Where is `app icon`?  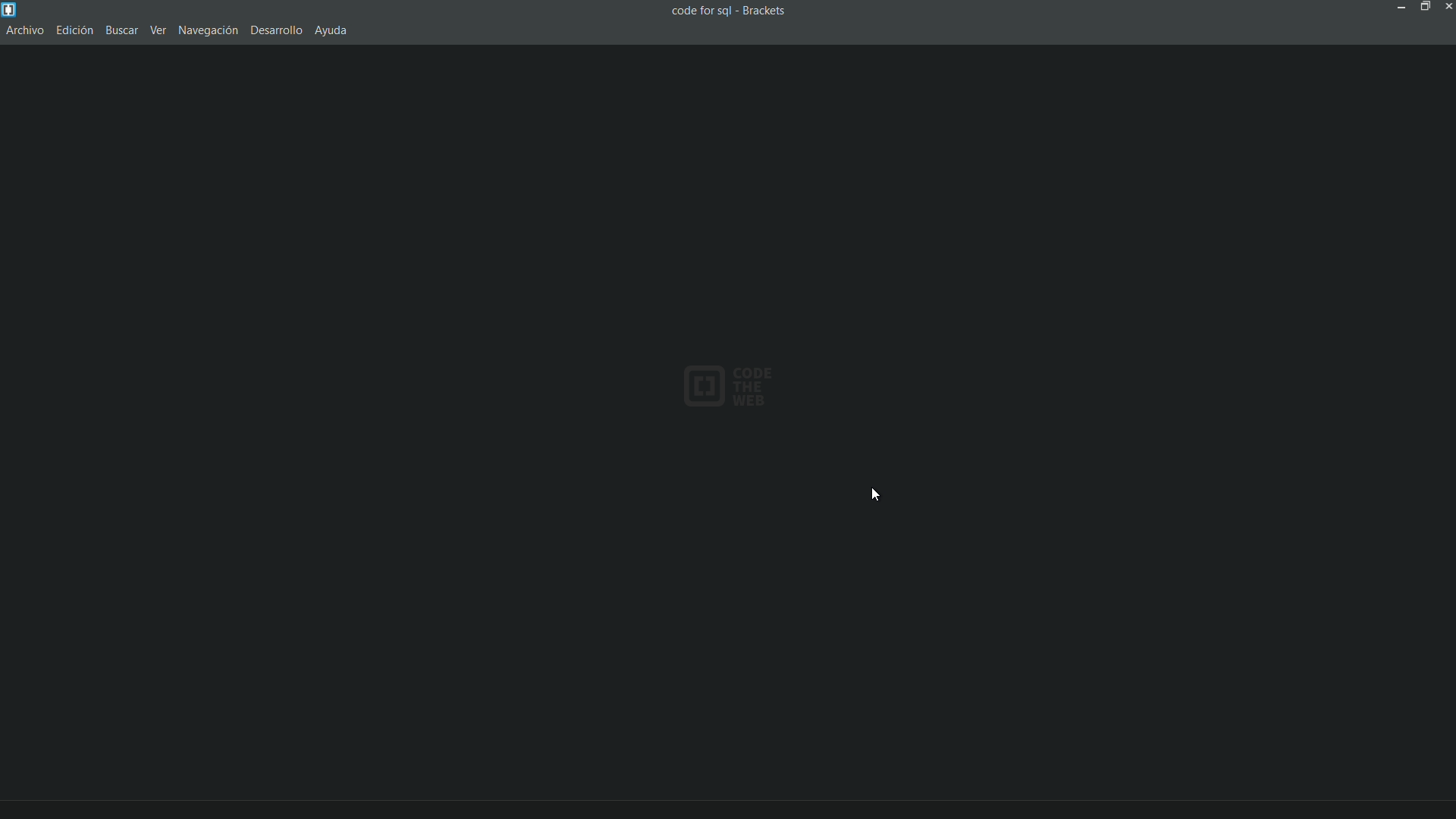 app icon is located at coordinates (9, 9).